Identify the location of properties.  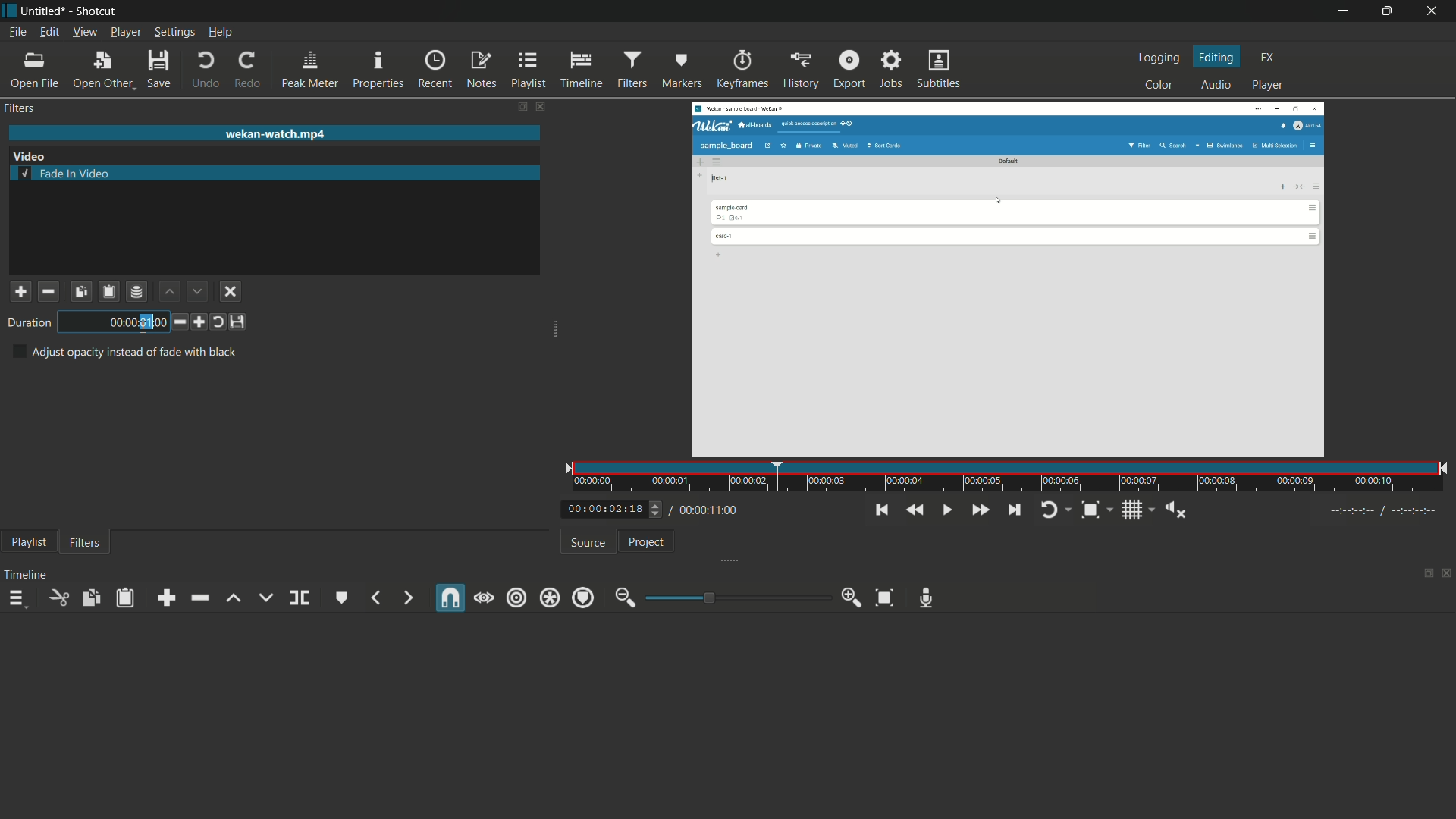
(378, 70).